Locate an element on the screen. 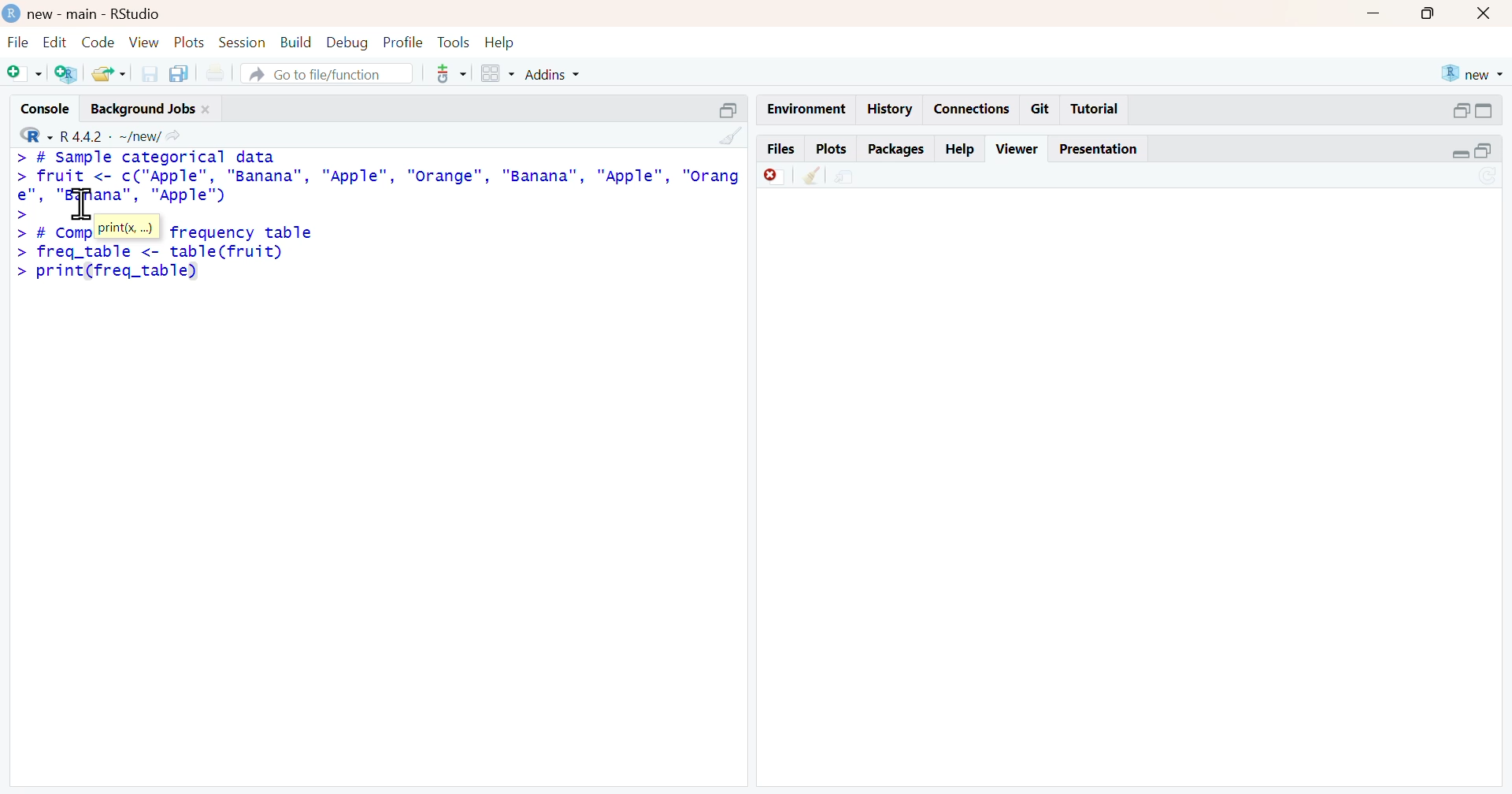 This screenshot has width=1512, height=794. view the current working directory is located at coordinates (174, 137).